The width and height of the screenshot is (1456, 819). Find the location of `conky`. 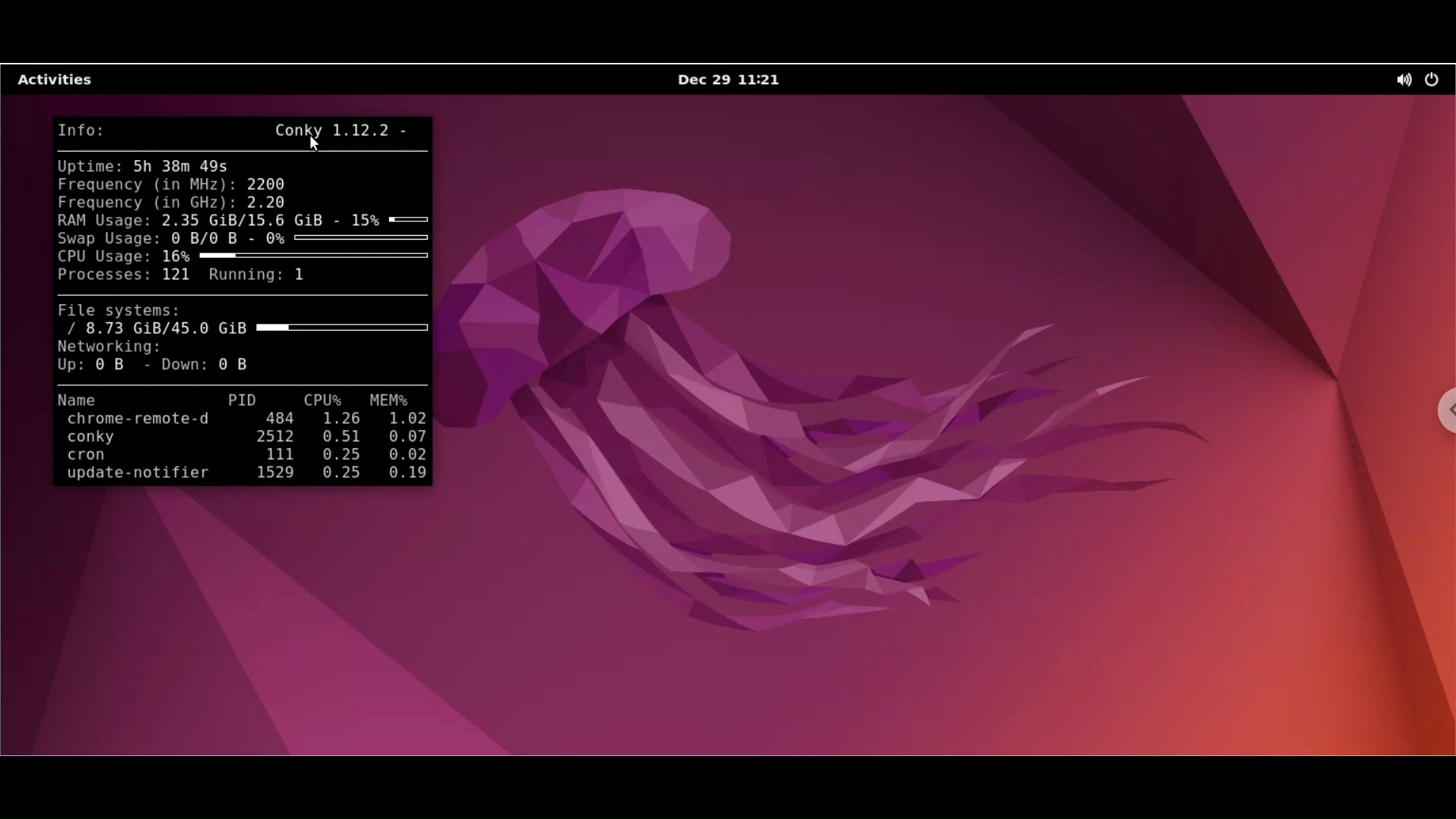

conky is located at coordinates (115, 438).